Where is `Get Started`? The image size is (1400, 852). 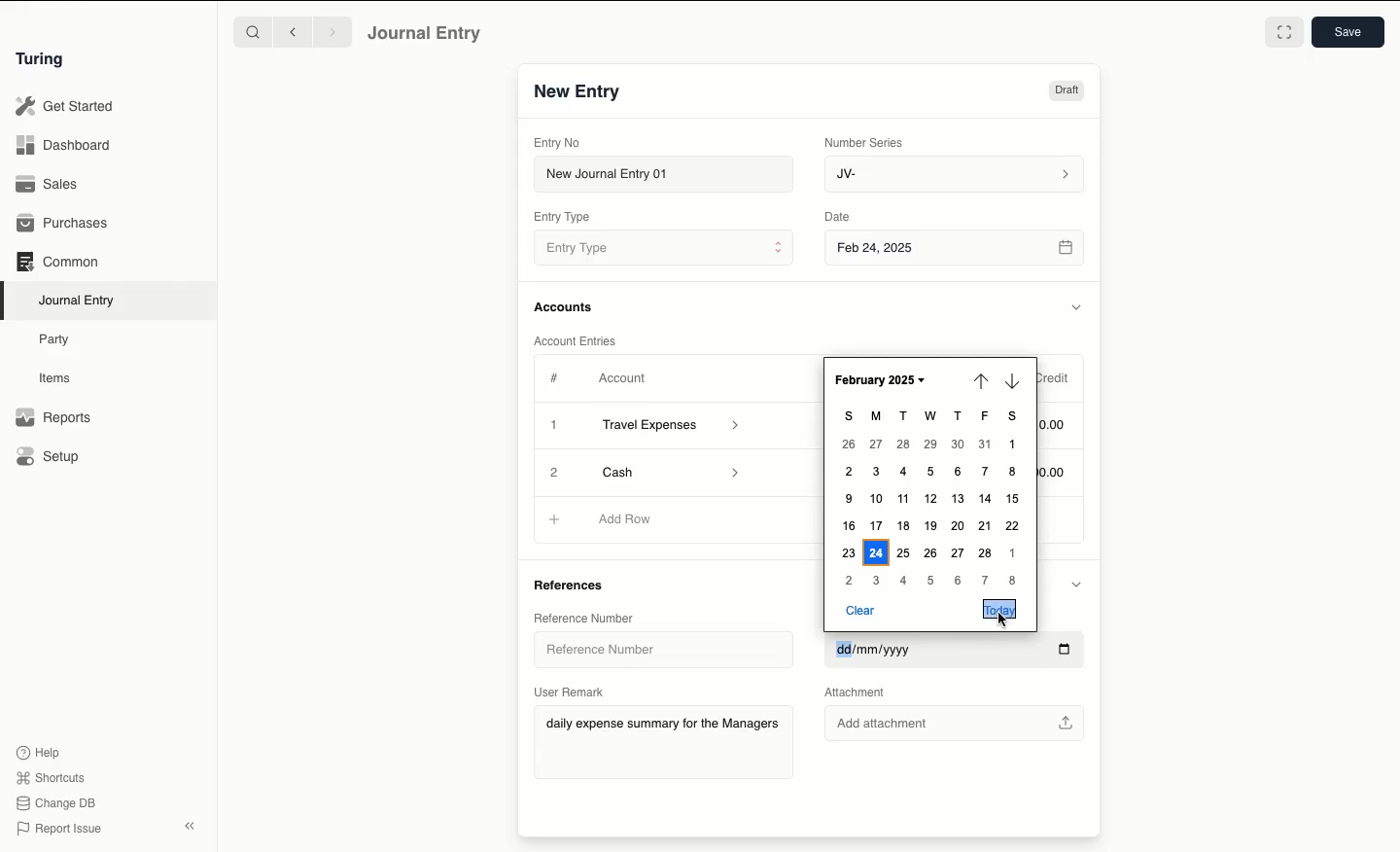 Get Started is located at coordinates (66, 107).